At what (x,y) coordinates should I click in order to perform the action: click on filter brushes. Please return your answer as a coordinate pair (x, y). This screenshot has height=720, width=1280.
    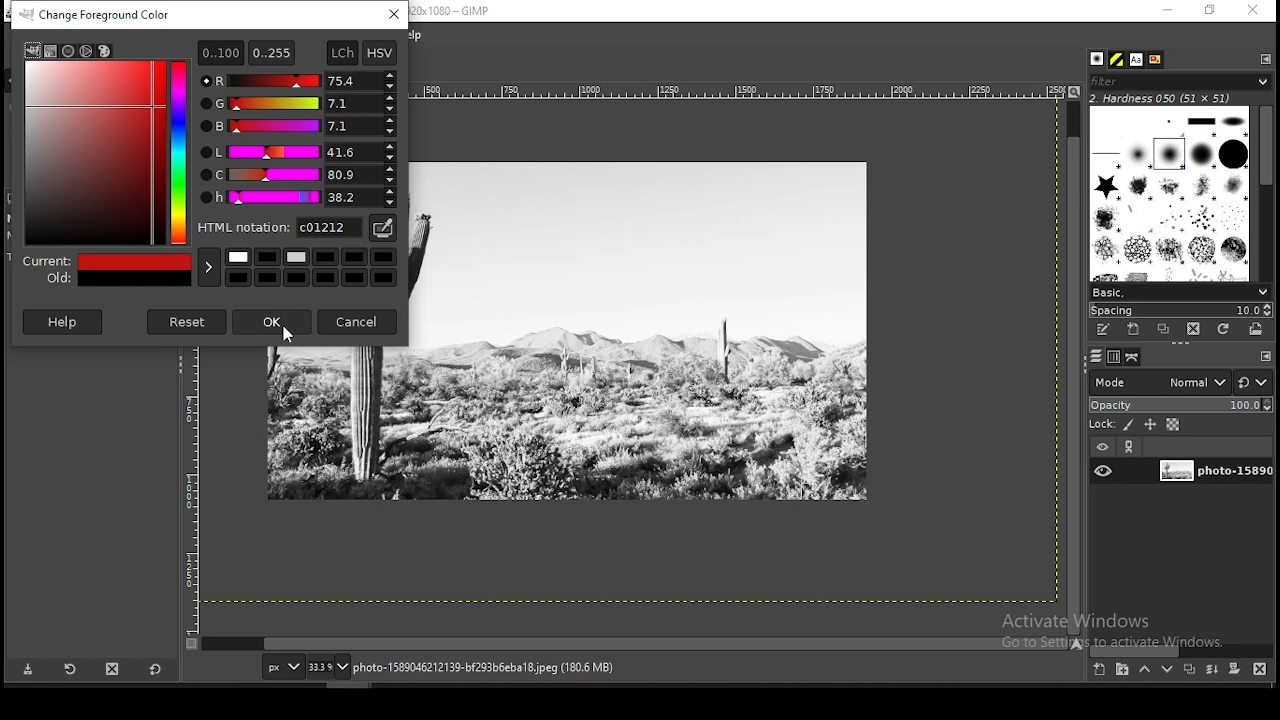
    Looking at the image, I should click on (1180, 81).